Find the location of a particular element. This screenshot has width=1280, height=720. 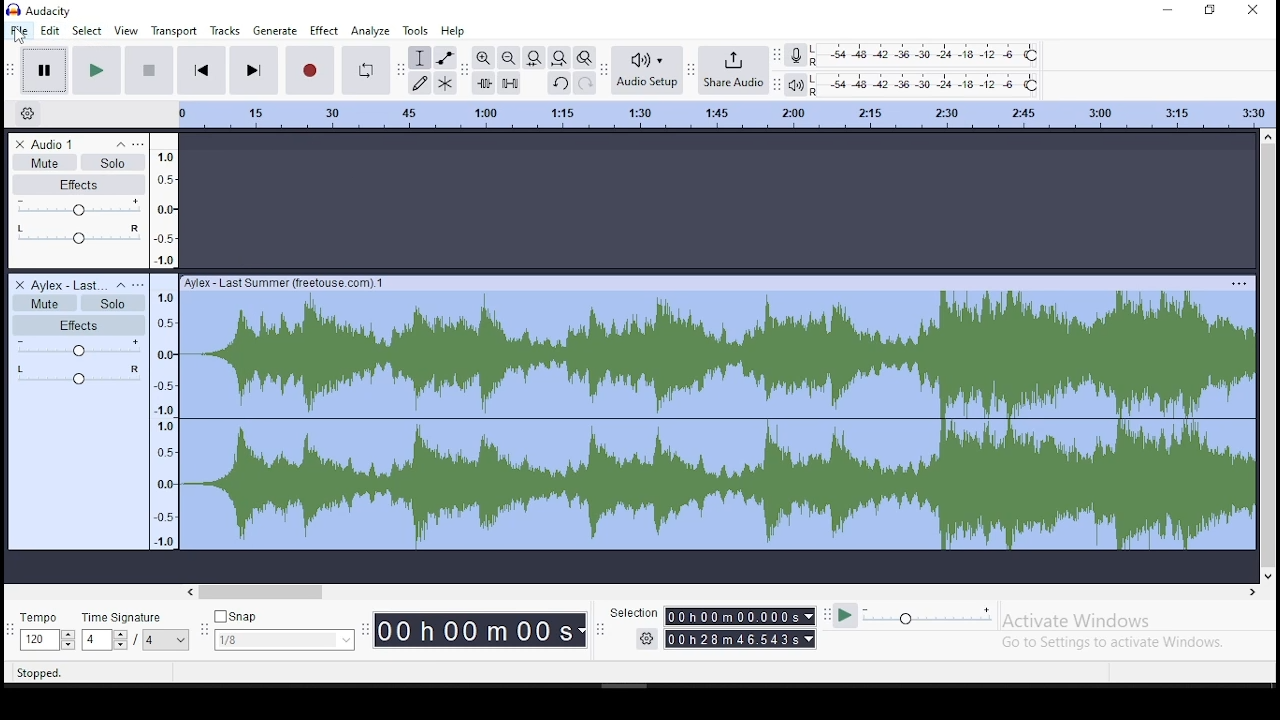

audio setup is located at coordinates (646, 71).